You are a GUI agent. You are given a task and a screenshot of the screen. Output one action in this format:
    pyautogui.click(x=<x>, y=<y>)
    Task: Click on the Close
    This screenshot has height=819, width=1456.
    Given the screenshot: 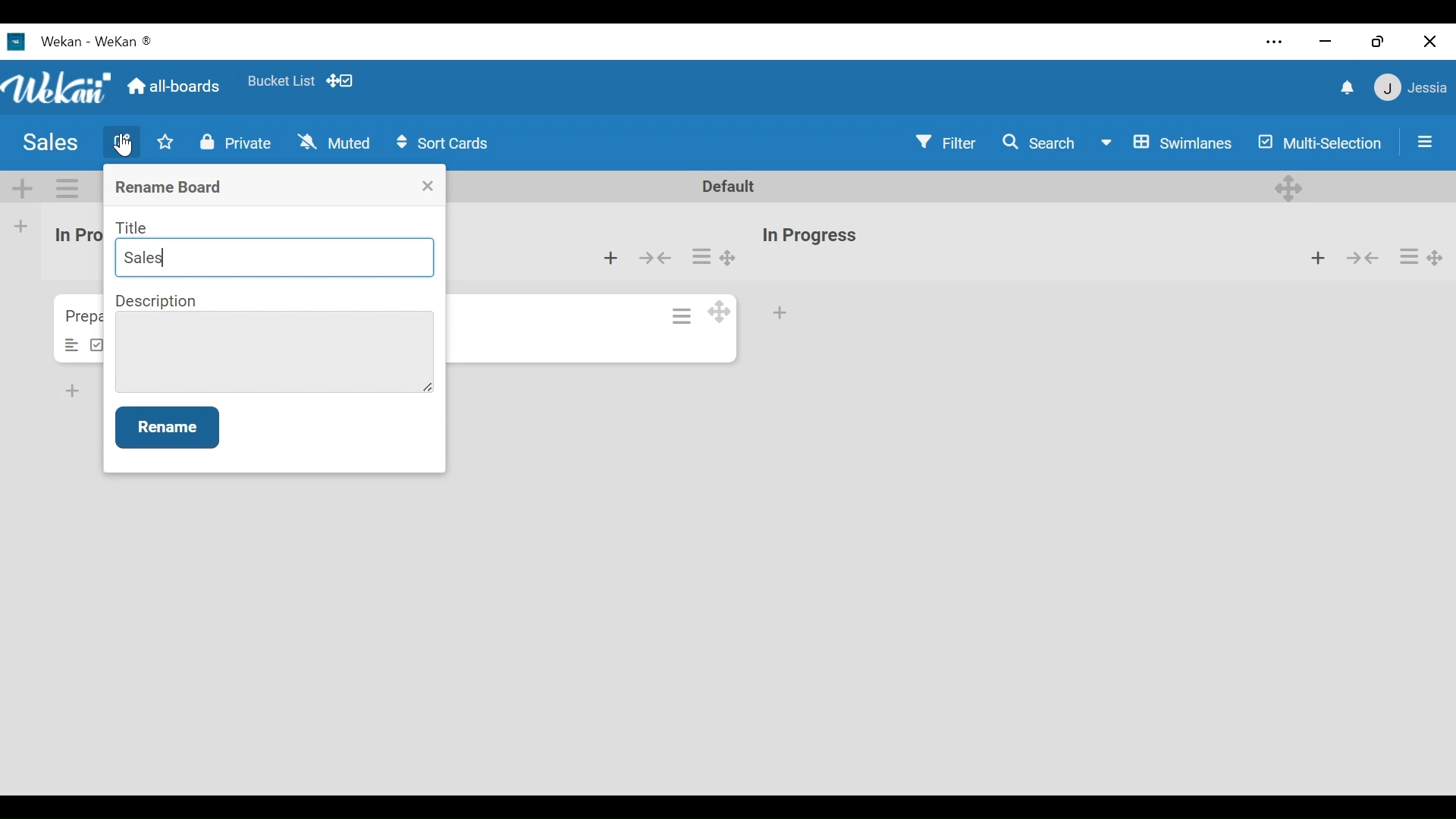 What is the action you would take?
    pyautogui.click(x=1429, y=43)
    